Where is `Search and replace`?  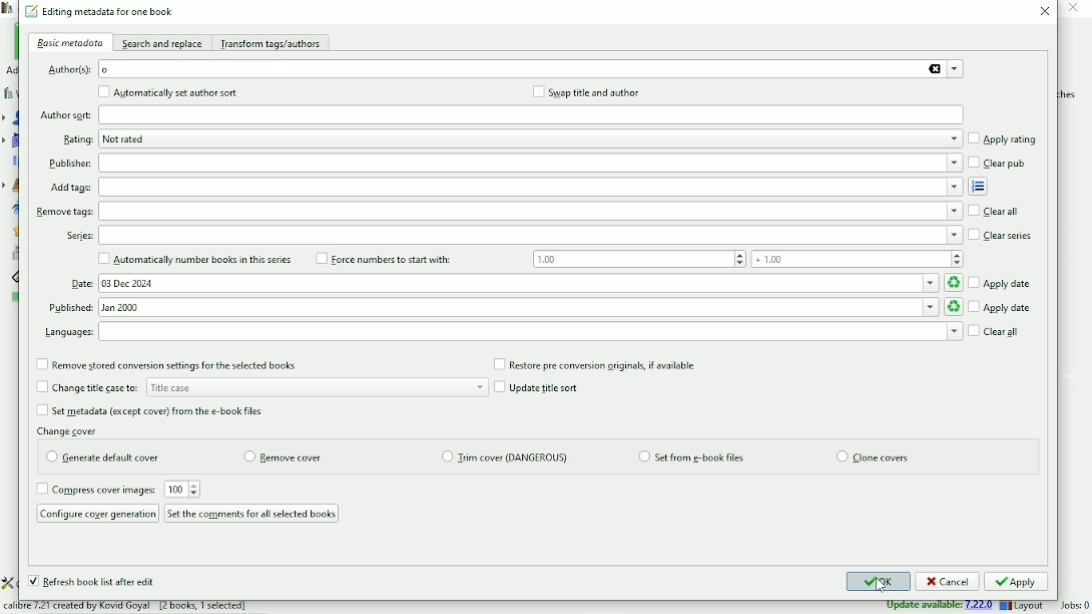 Search and replace is located at coordinates (163, 43).